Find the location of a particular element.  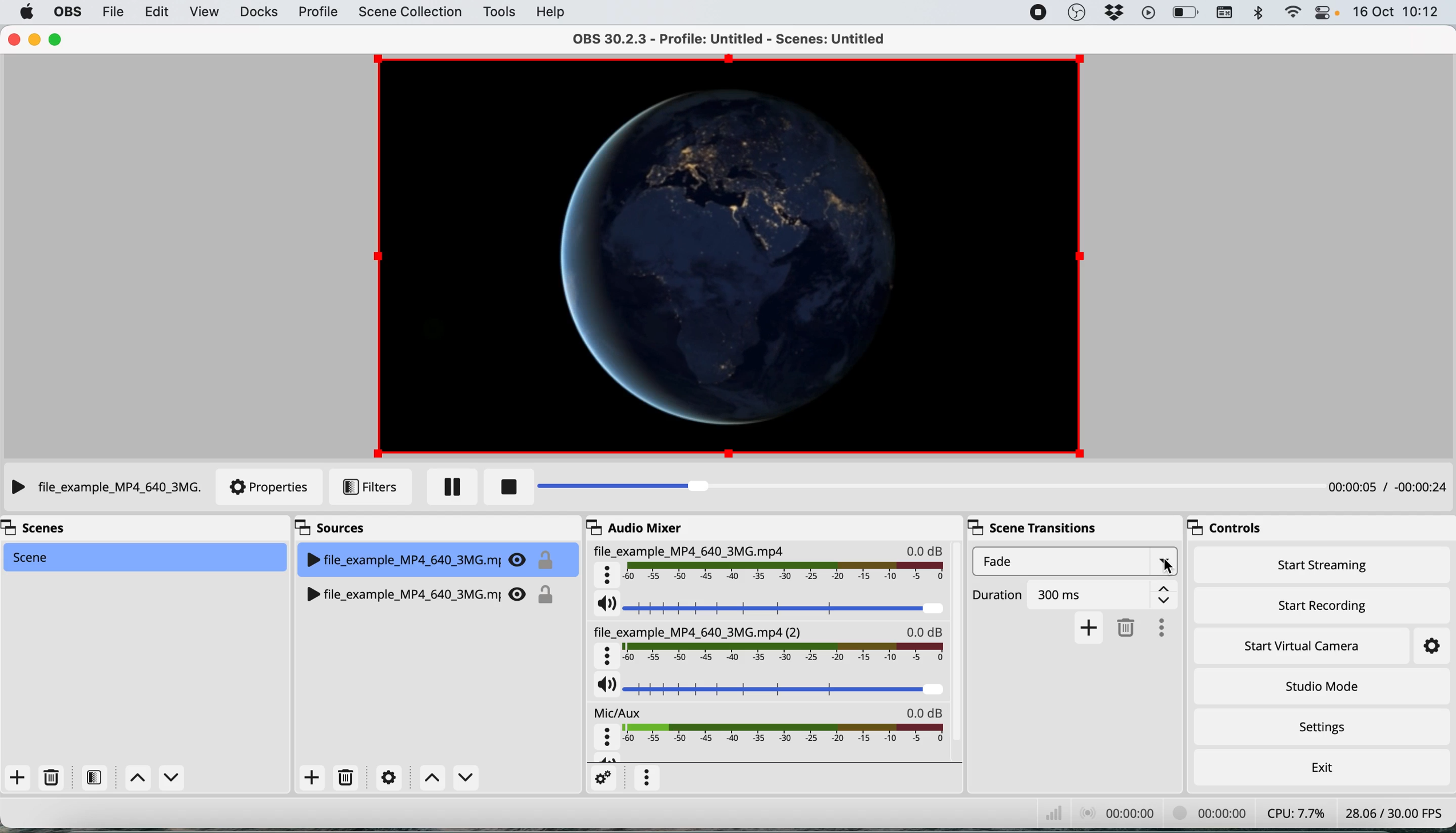

wifi is located at coordinates (1296, 13).